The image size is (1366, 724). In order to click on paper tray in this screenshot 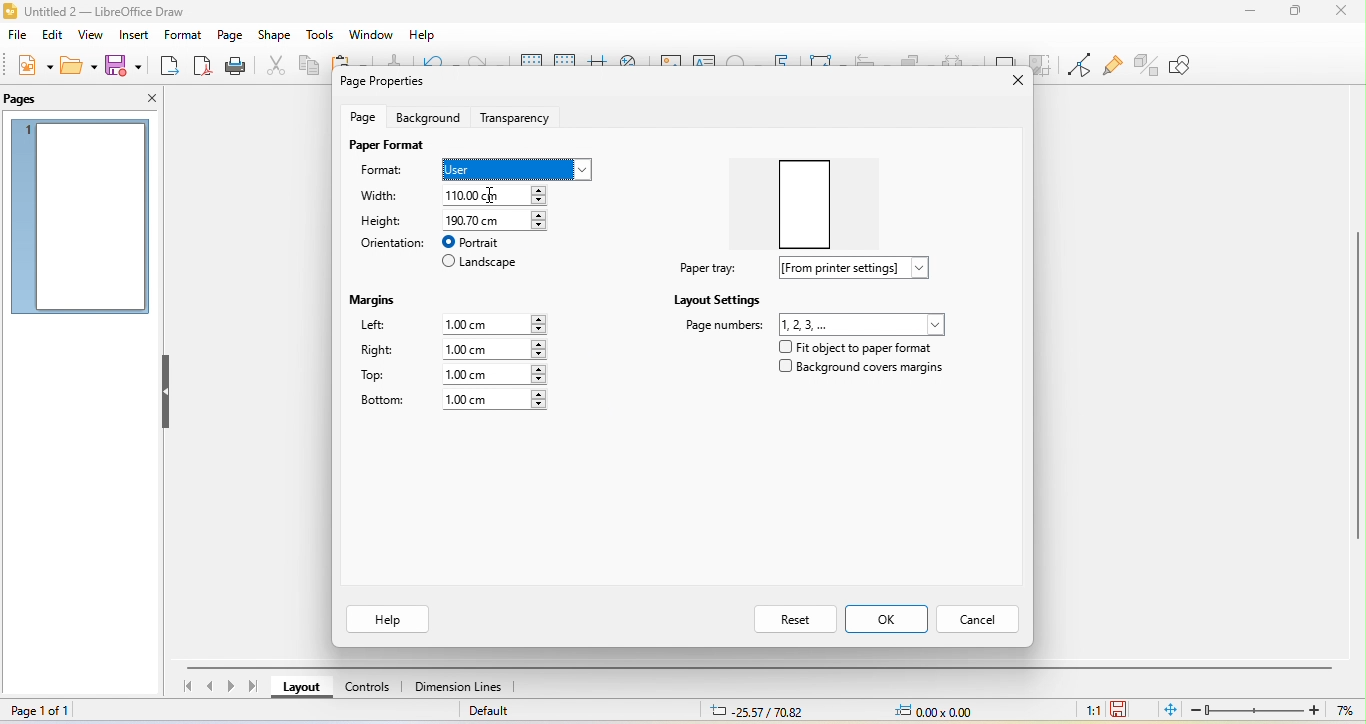, I will do `click(705, 268)`.